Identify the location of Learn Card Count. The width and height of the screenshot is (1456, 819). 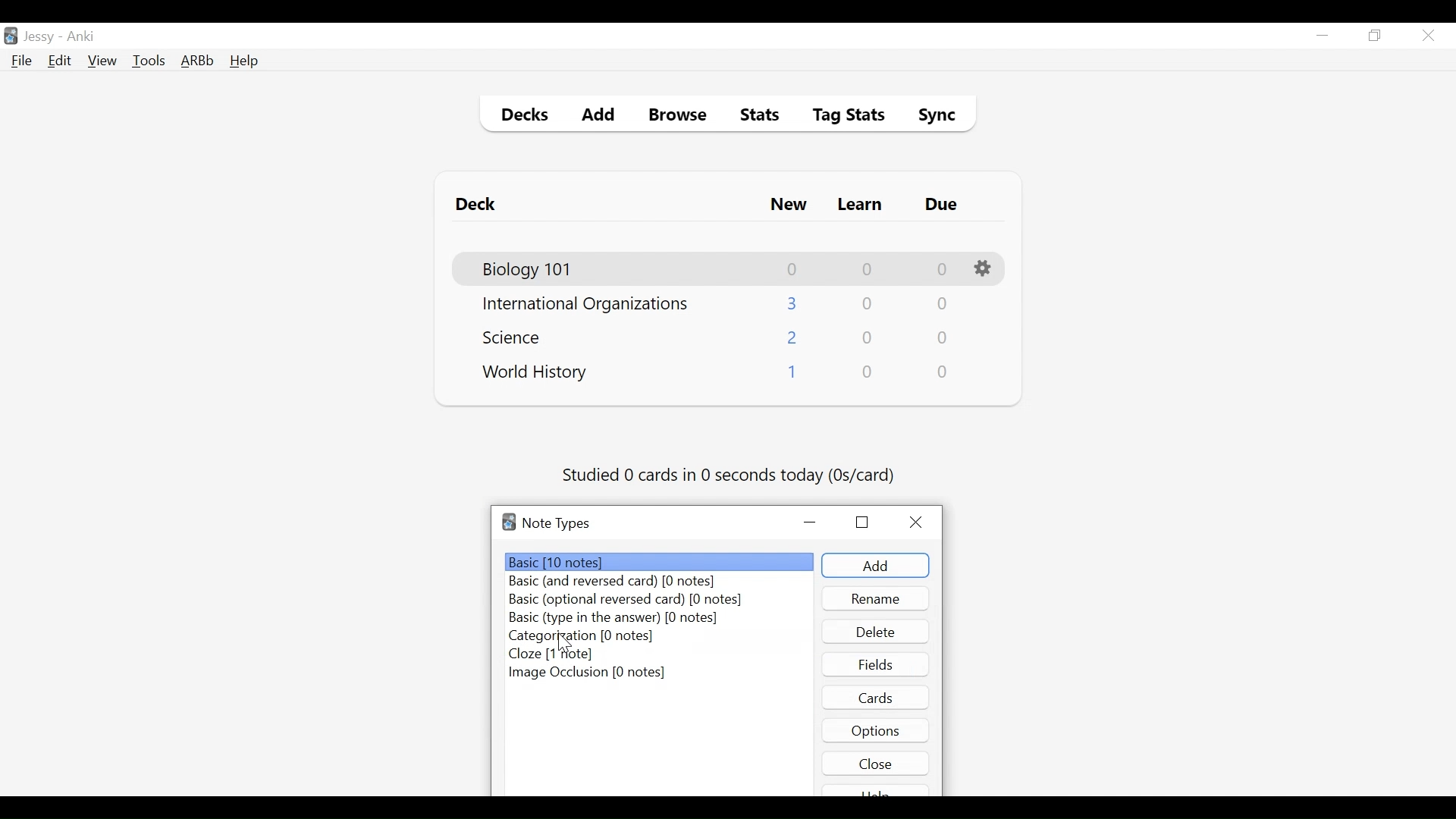
(866, 304).